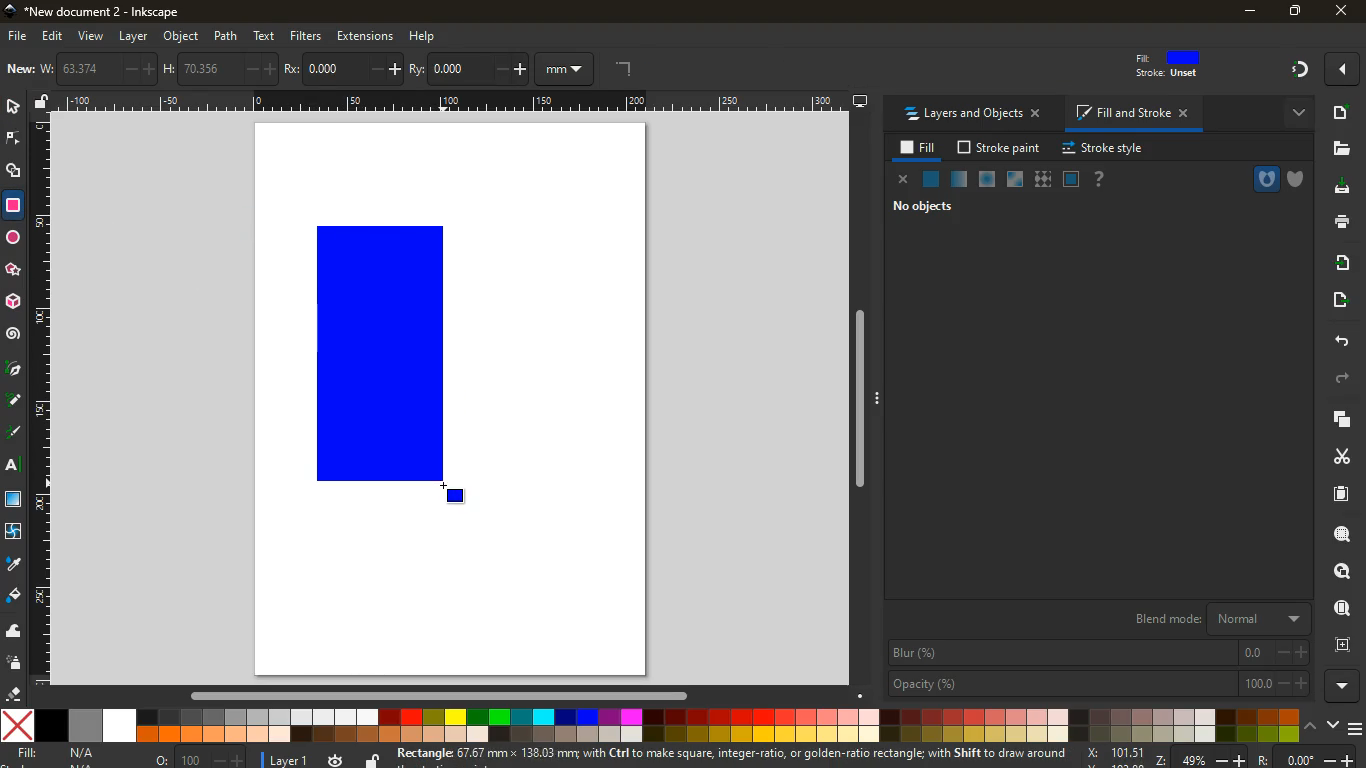  Describe the element at coordinates (1313, 727) in the screenshot. I see `up` at that location.